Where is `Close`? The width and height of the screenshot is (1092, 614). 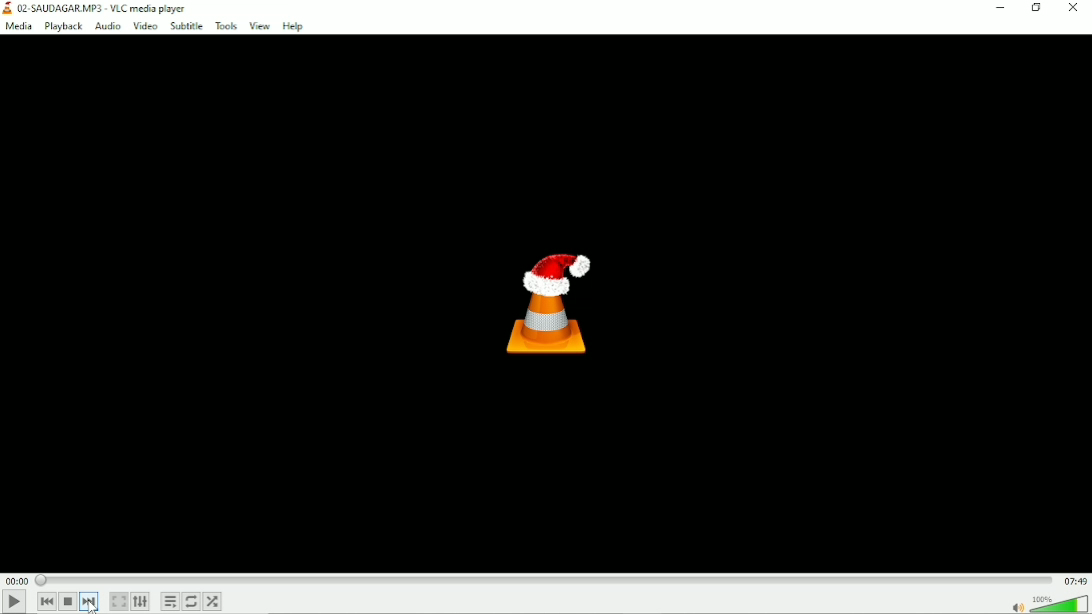
Close is located at coordinates (1073, 8).